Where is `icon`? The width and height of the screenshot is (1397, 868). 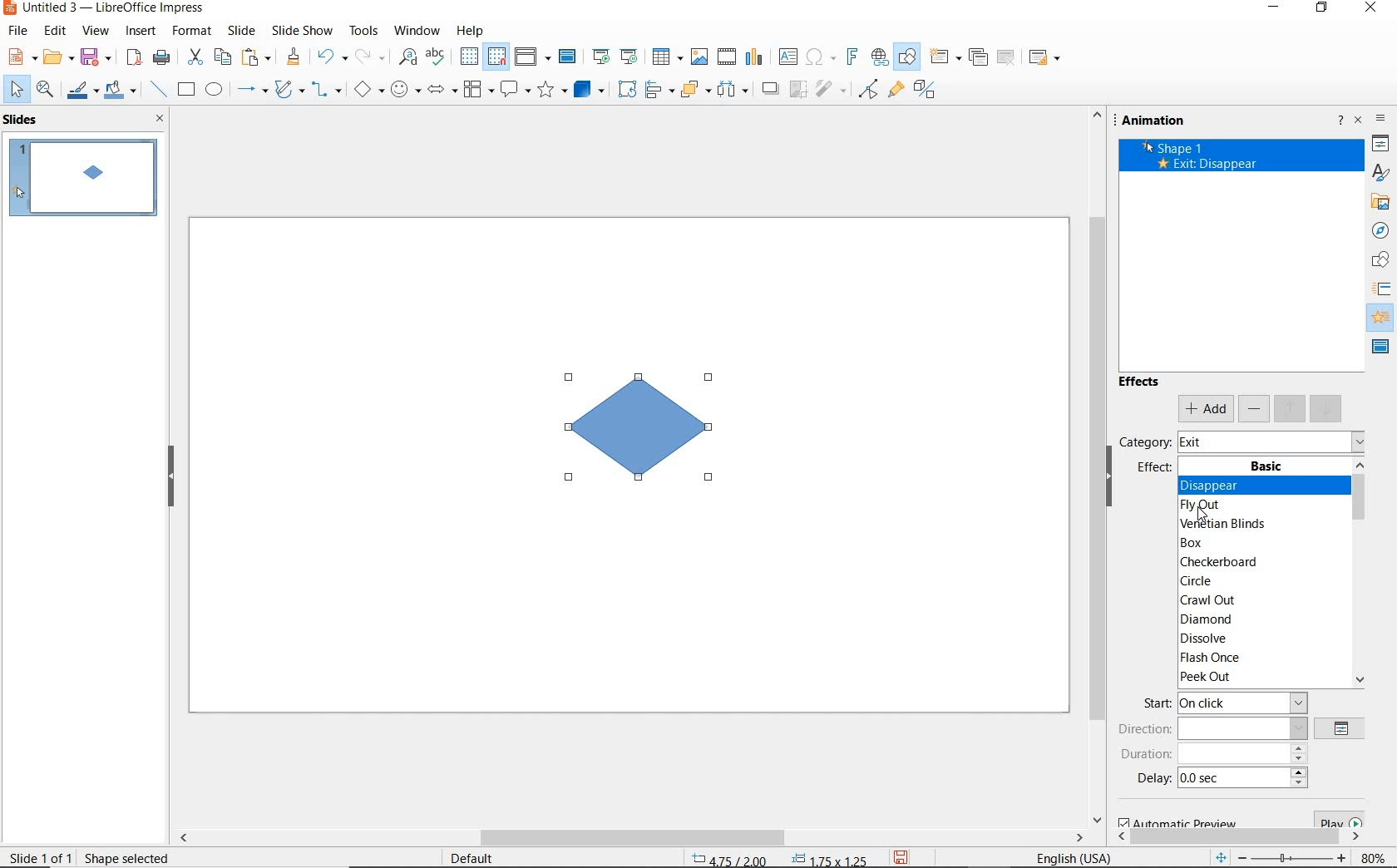
icon is located at coordinates (1381, 289).